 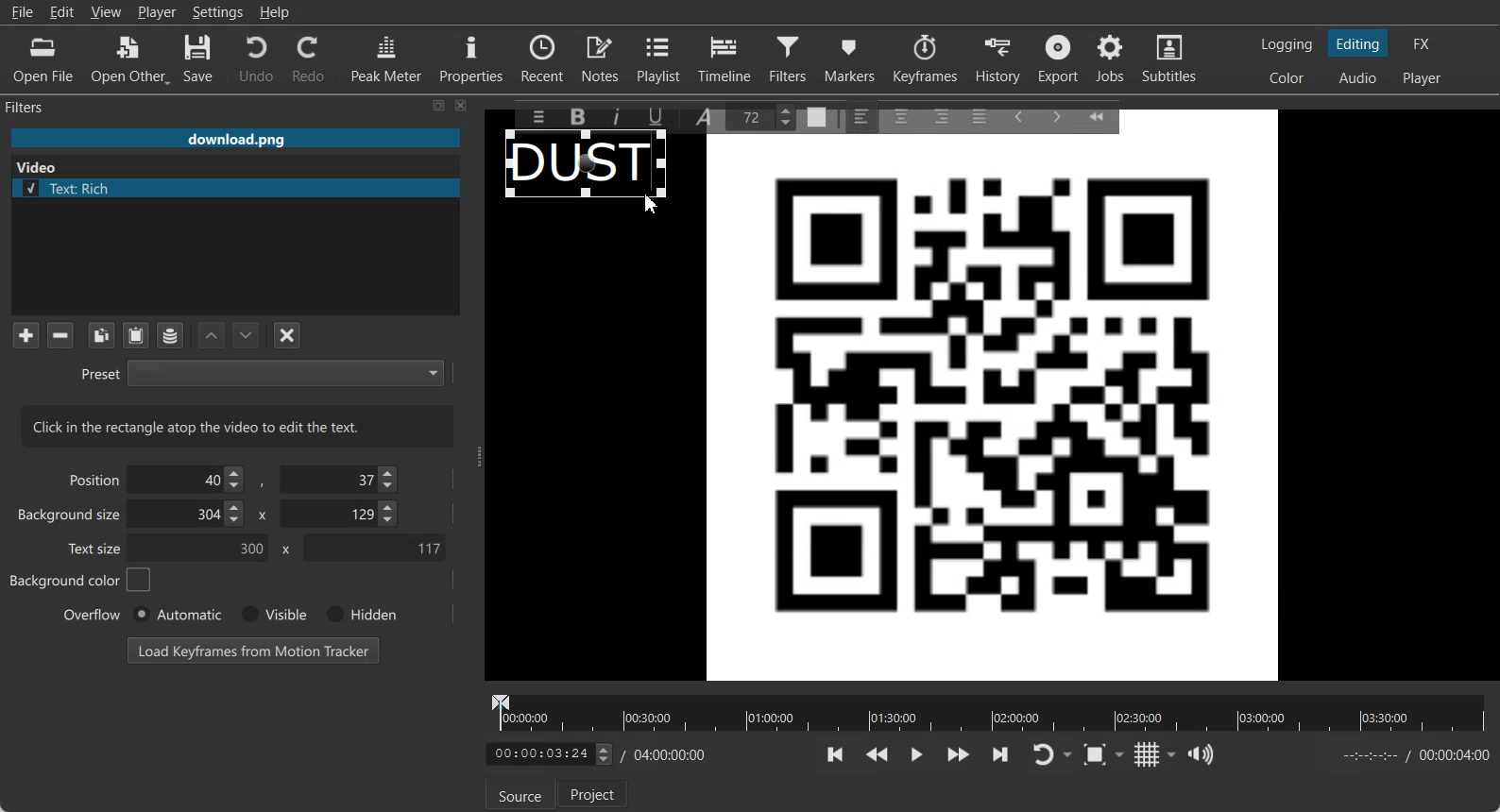 What do you see at coordinates (817, 113) in the screenshot?
I see `Text Color` at bounding box center [817, 113].